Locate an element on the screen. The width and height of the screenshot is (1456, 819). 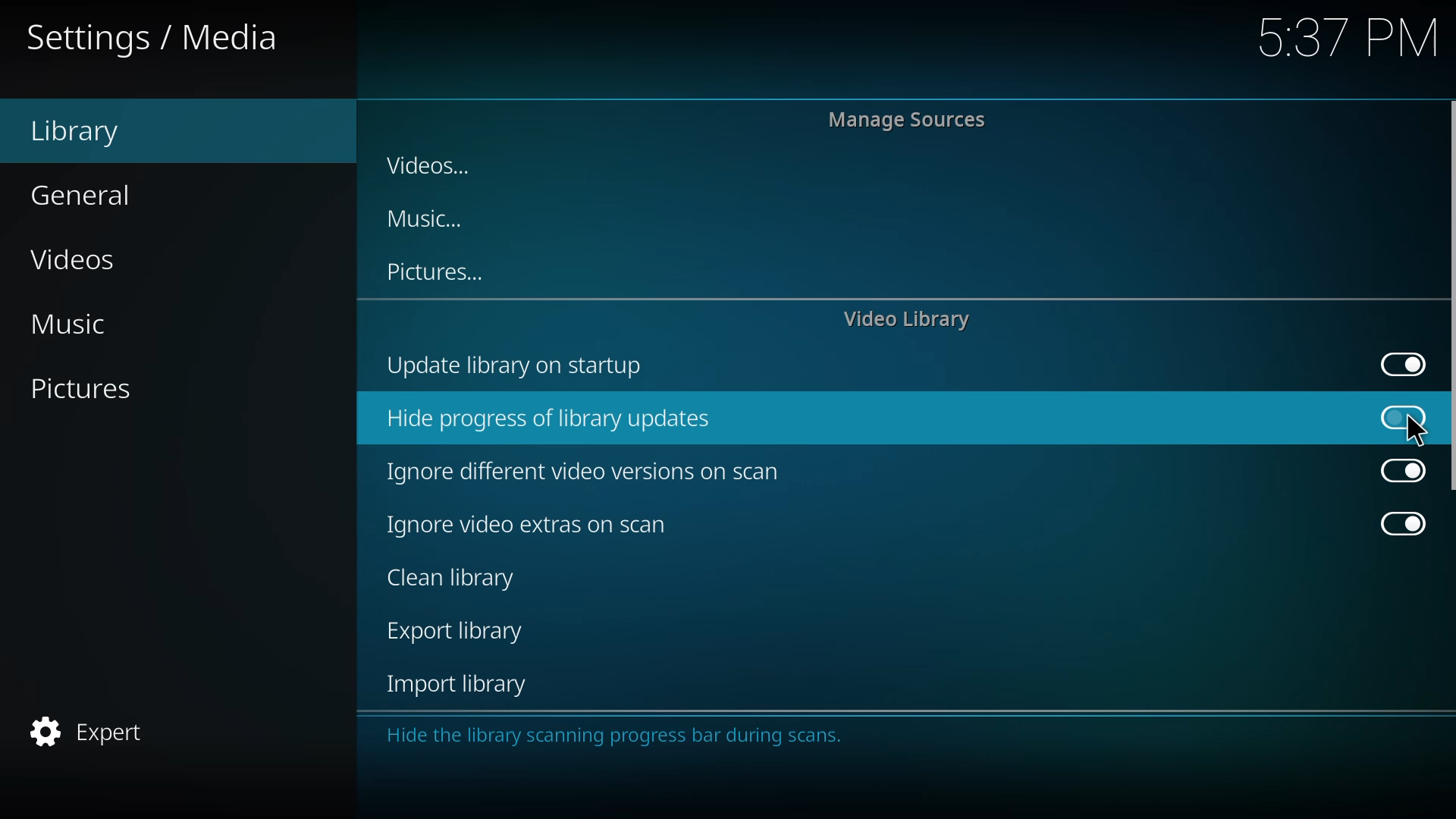
enabled is located at coordinates (1394, 471).